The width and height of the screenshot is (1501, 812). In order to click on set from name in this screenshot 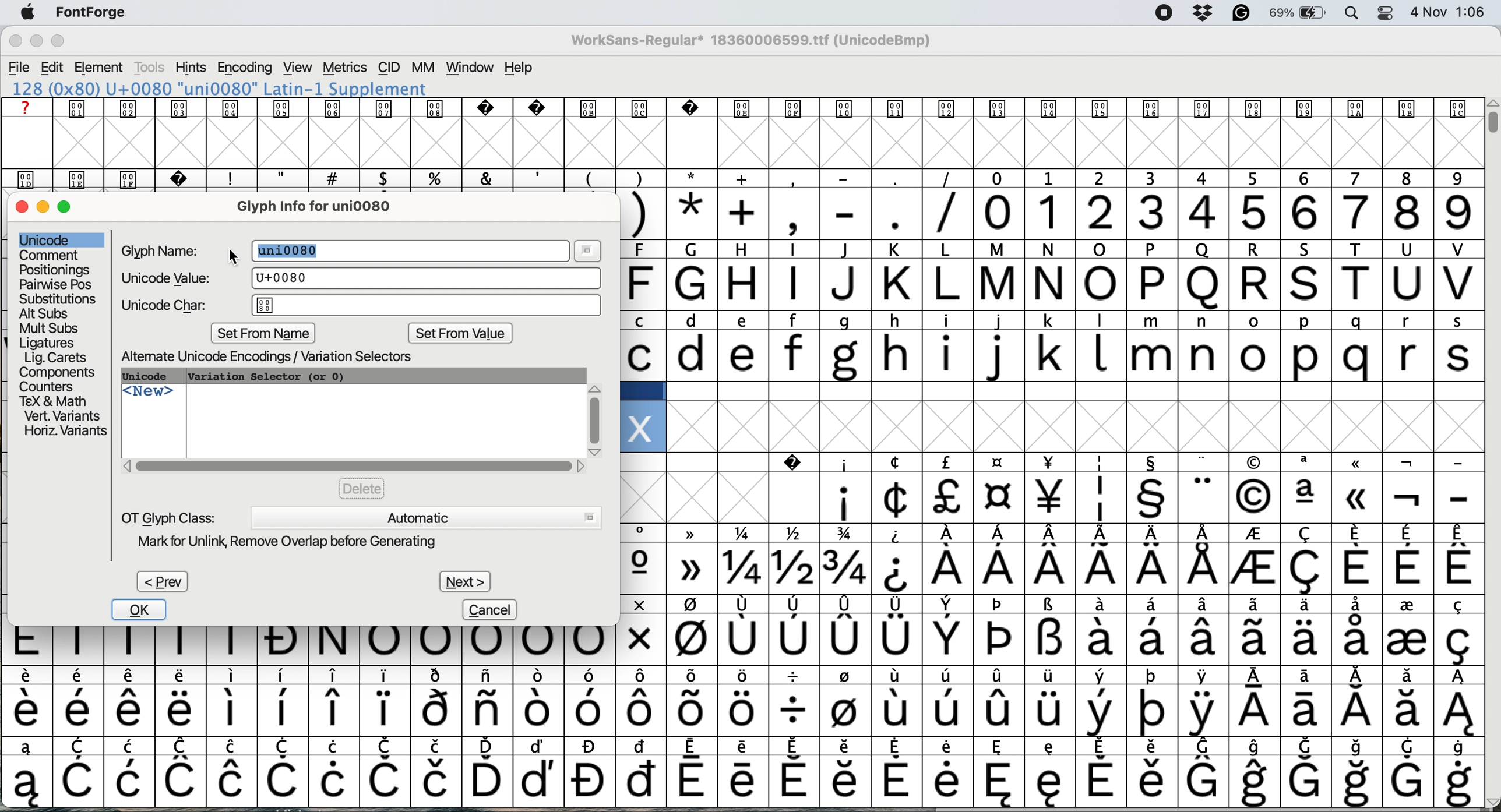, I will do `click(266, 333)`.